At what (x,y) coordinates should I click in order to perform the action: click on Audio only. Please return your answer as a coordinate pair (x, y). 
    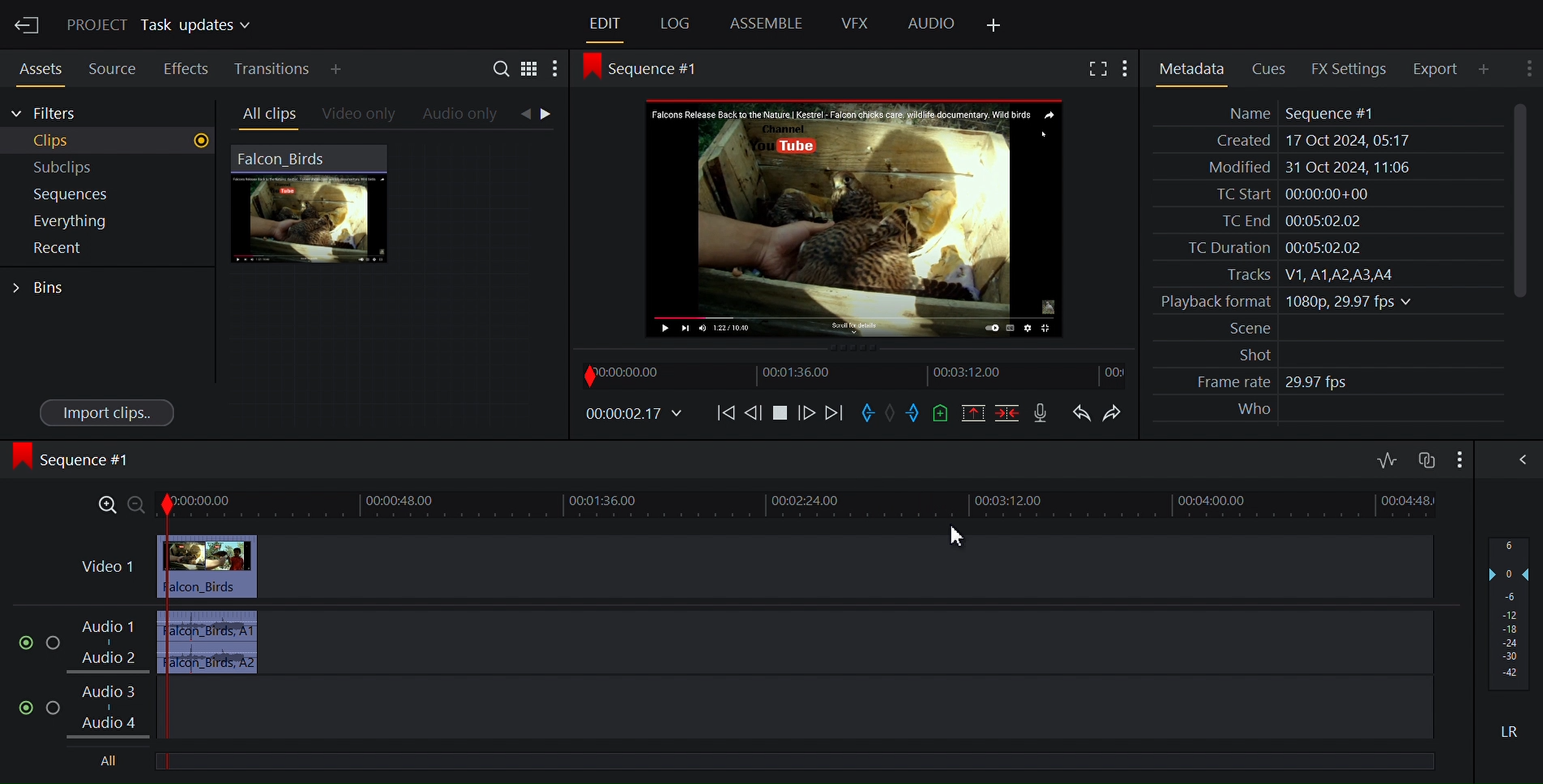
    Looking at the image, I should click on (464, 115).